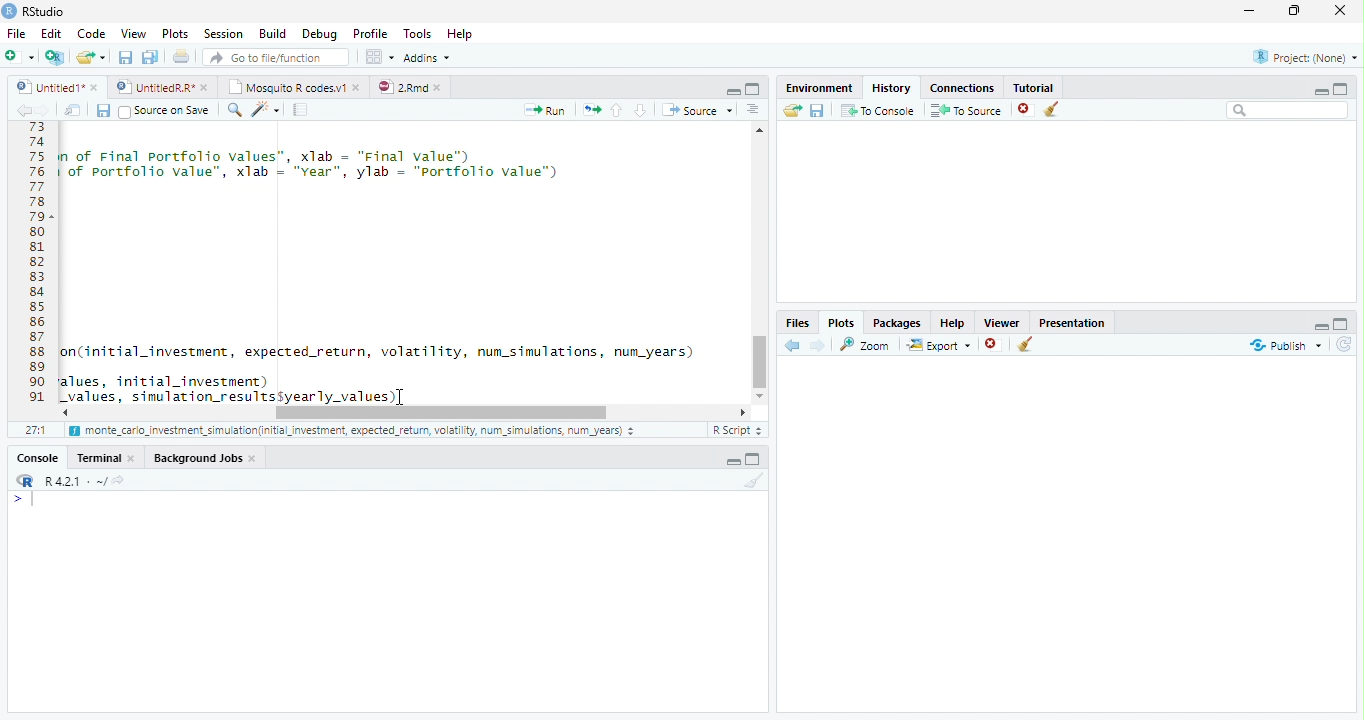 Image resolution: width=1364 pixels, height=720 pixels. What do you see at coordinates (995, 345) in the screenshot?
I see `Remove selected` at bounding box center [995, 345].